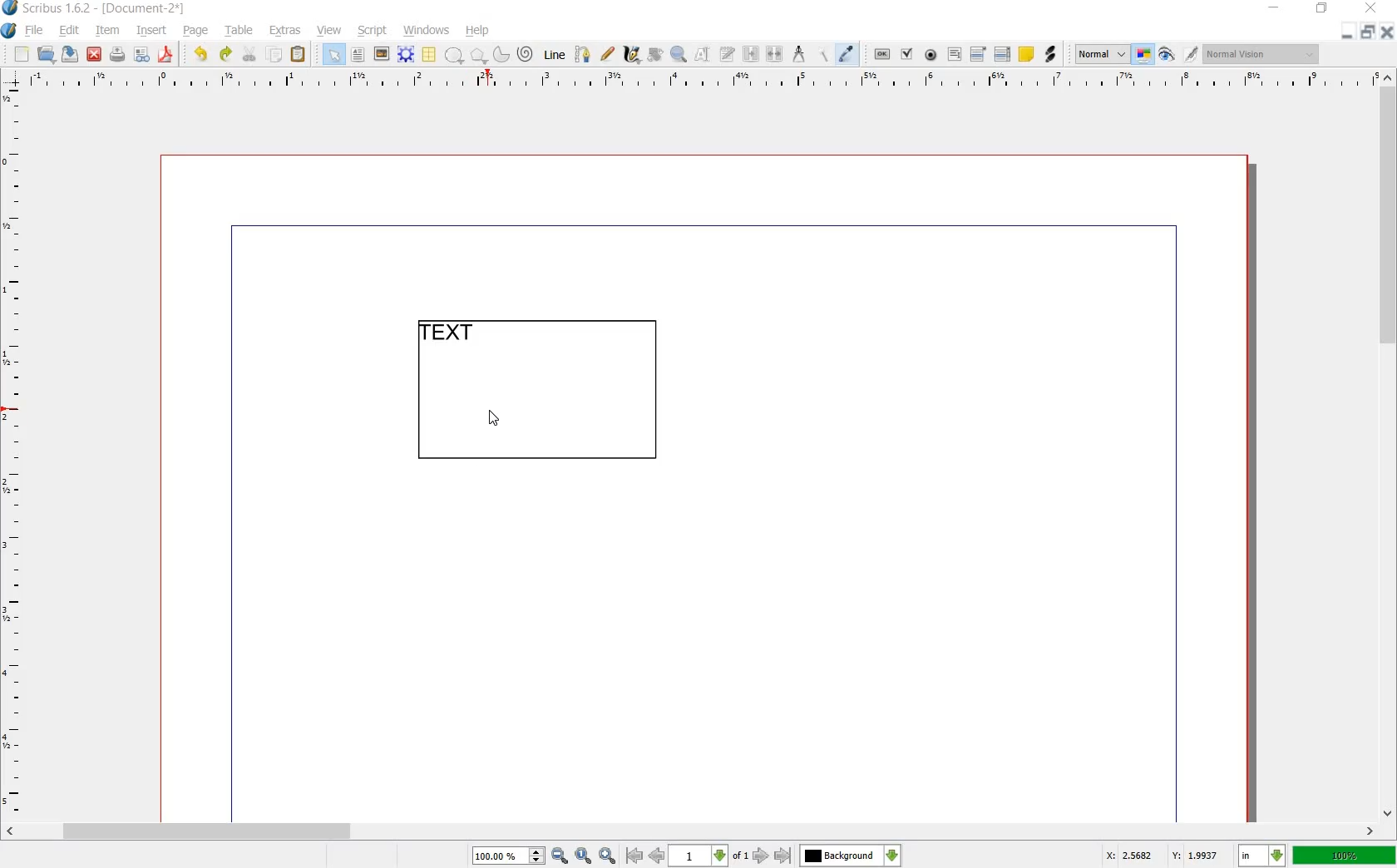 This screenshot has width=1397, height=868. Describe the element at coordinates (165, 55) in the screenshot. I see `save as pdf` at that location.